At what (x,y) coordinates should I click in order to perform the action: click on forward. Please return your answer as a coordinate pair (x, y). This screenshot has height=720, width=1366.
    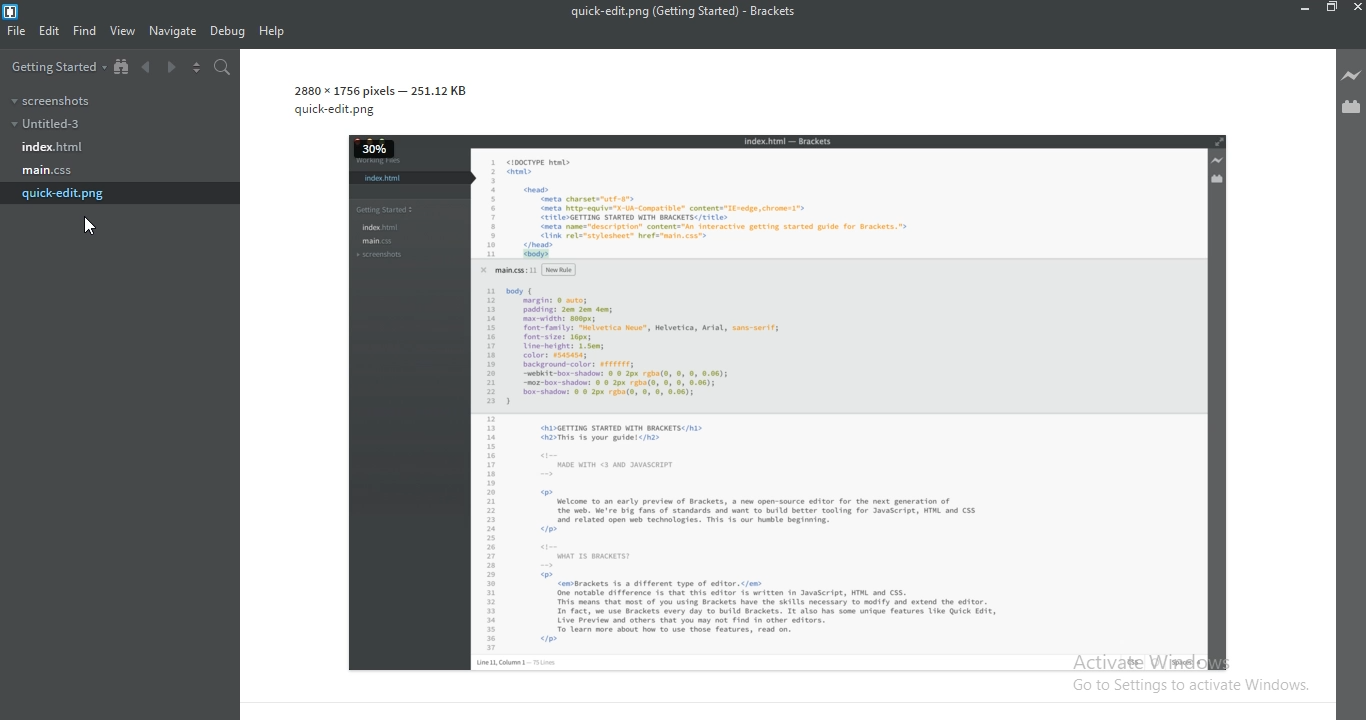
    Looking at the image, I should click on (173, 69).